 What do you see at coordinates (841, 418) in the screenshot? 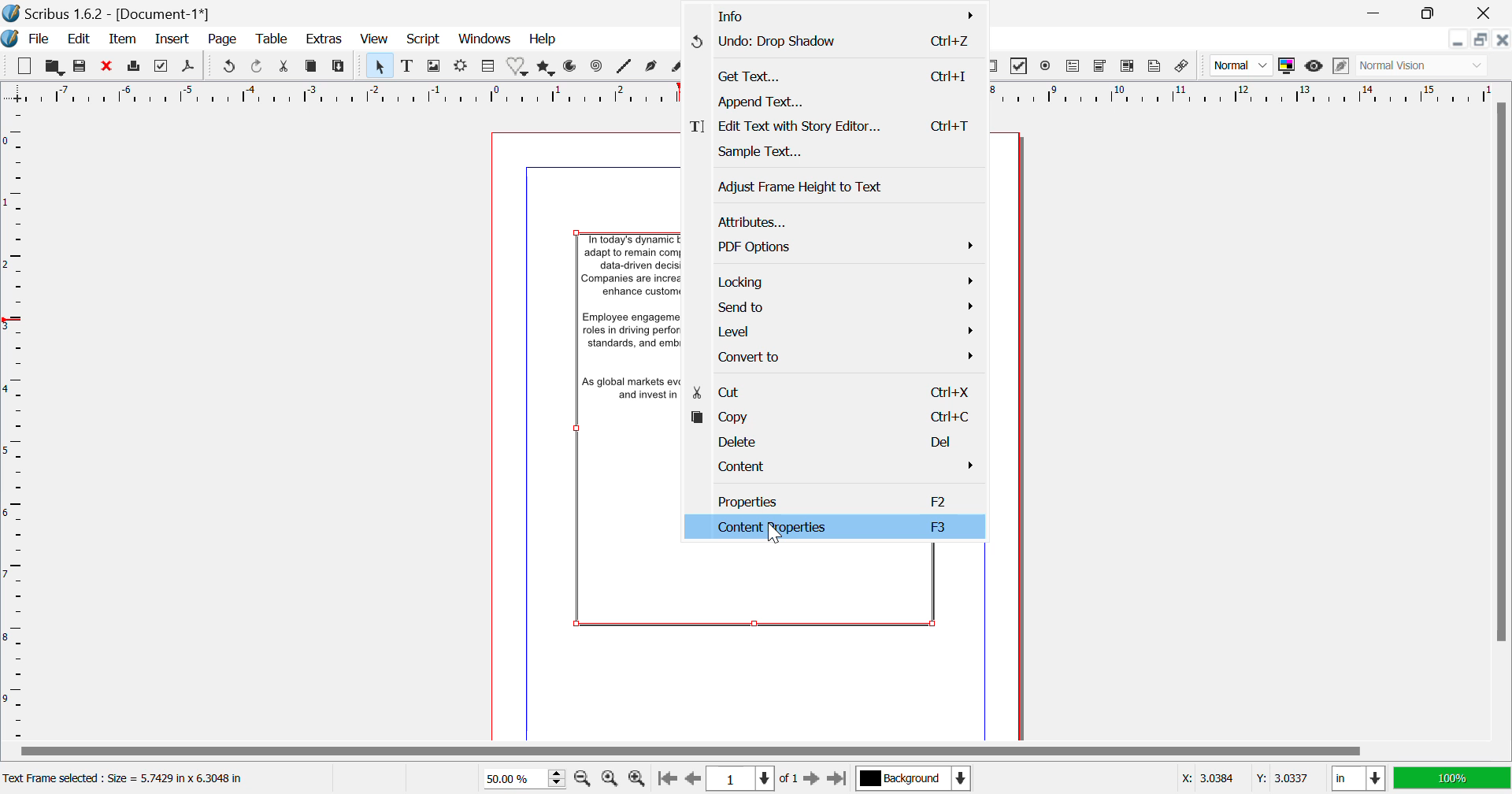
I see `Copy` at bounding box center [841, 418].